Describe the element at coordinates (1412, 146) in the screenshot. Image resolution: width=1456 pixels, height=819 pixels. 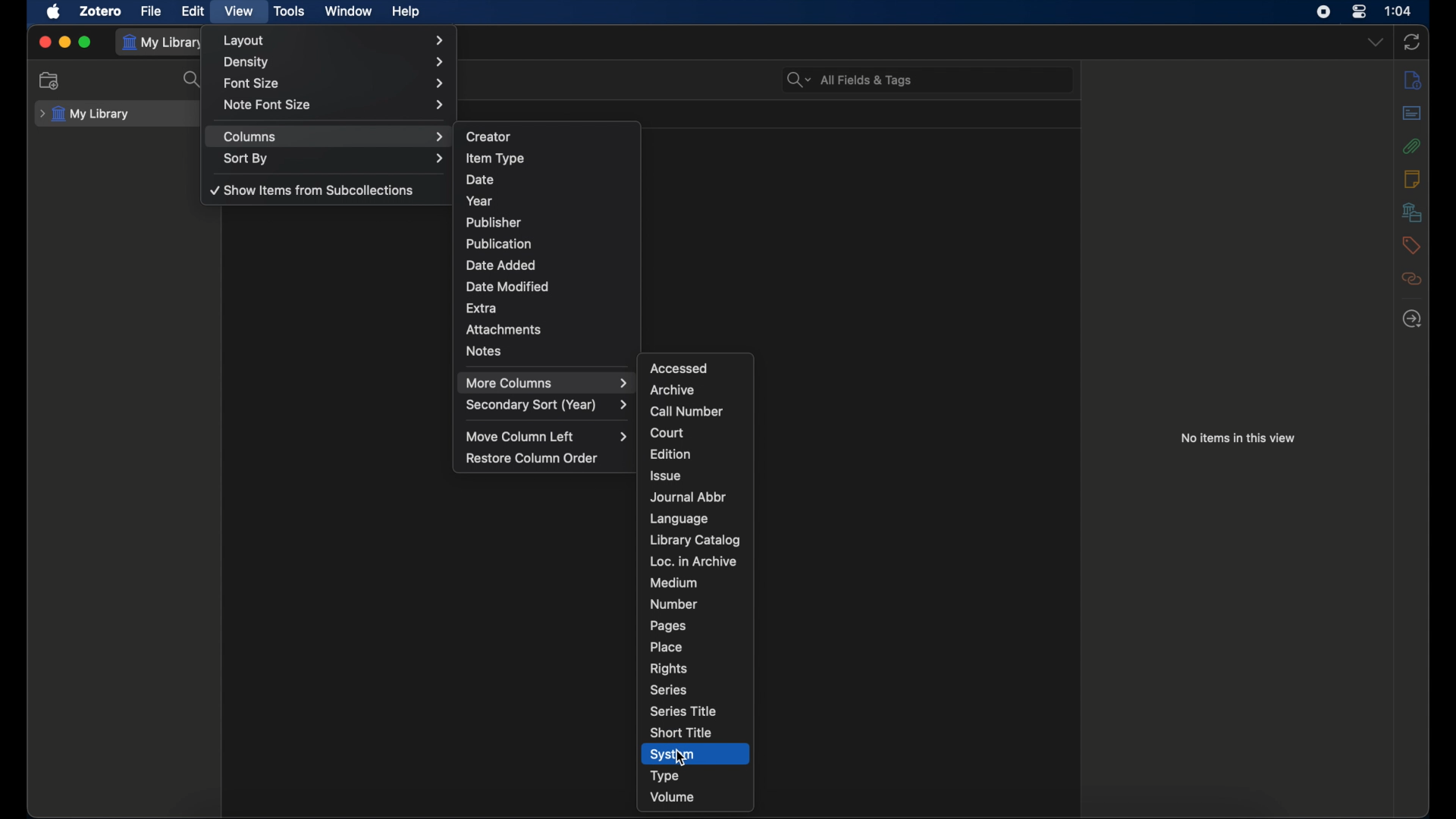
I see `attachments` at that location.